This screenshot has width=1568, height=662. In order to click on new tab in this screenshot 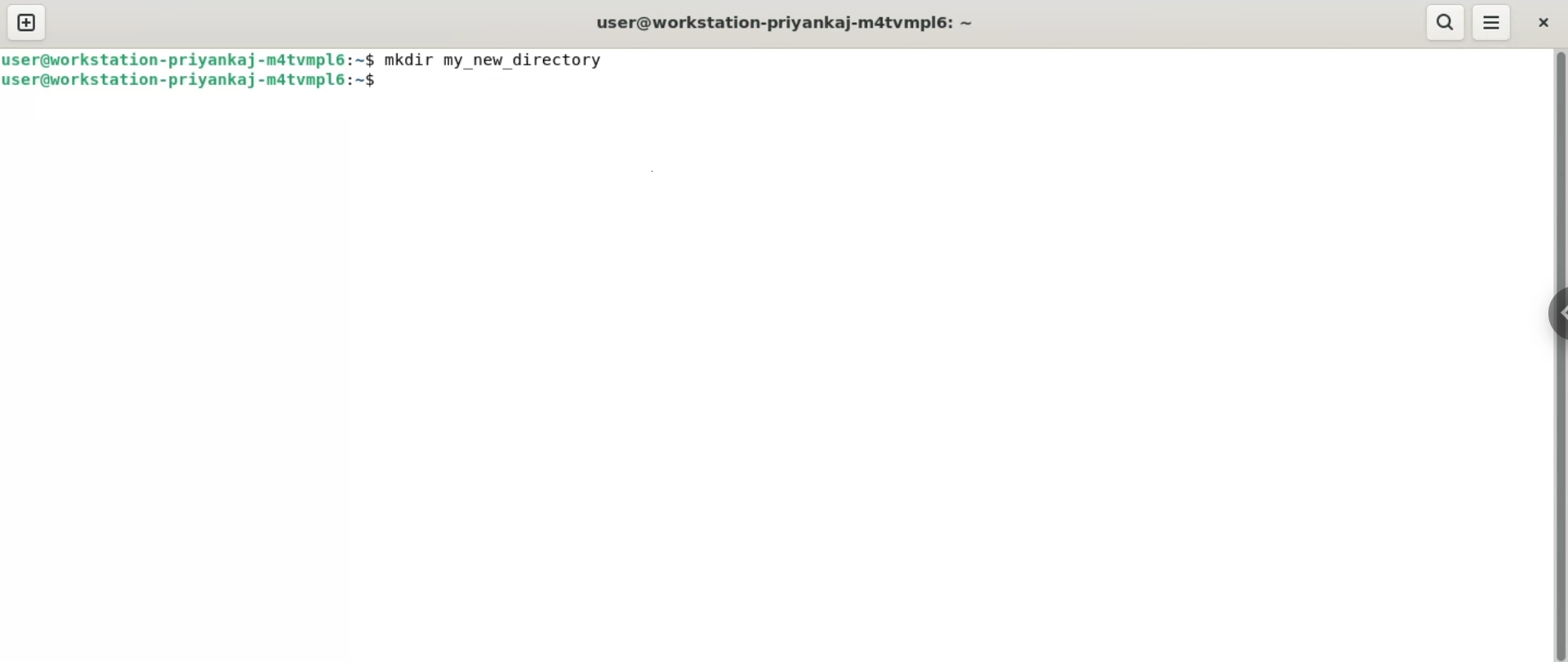, I will do `click(25, 25)`.